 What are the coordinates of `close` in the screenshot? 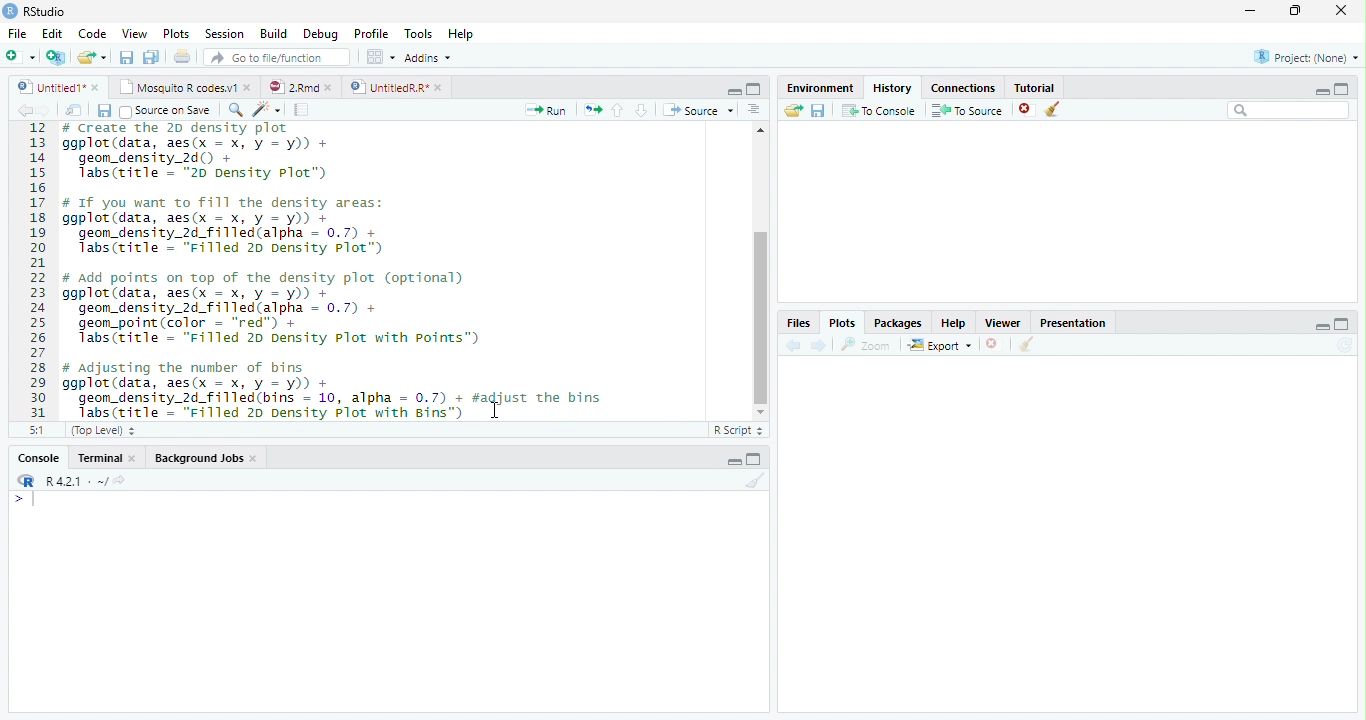 It's located at (993, 344).